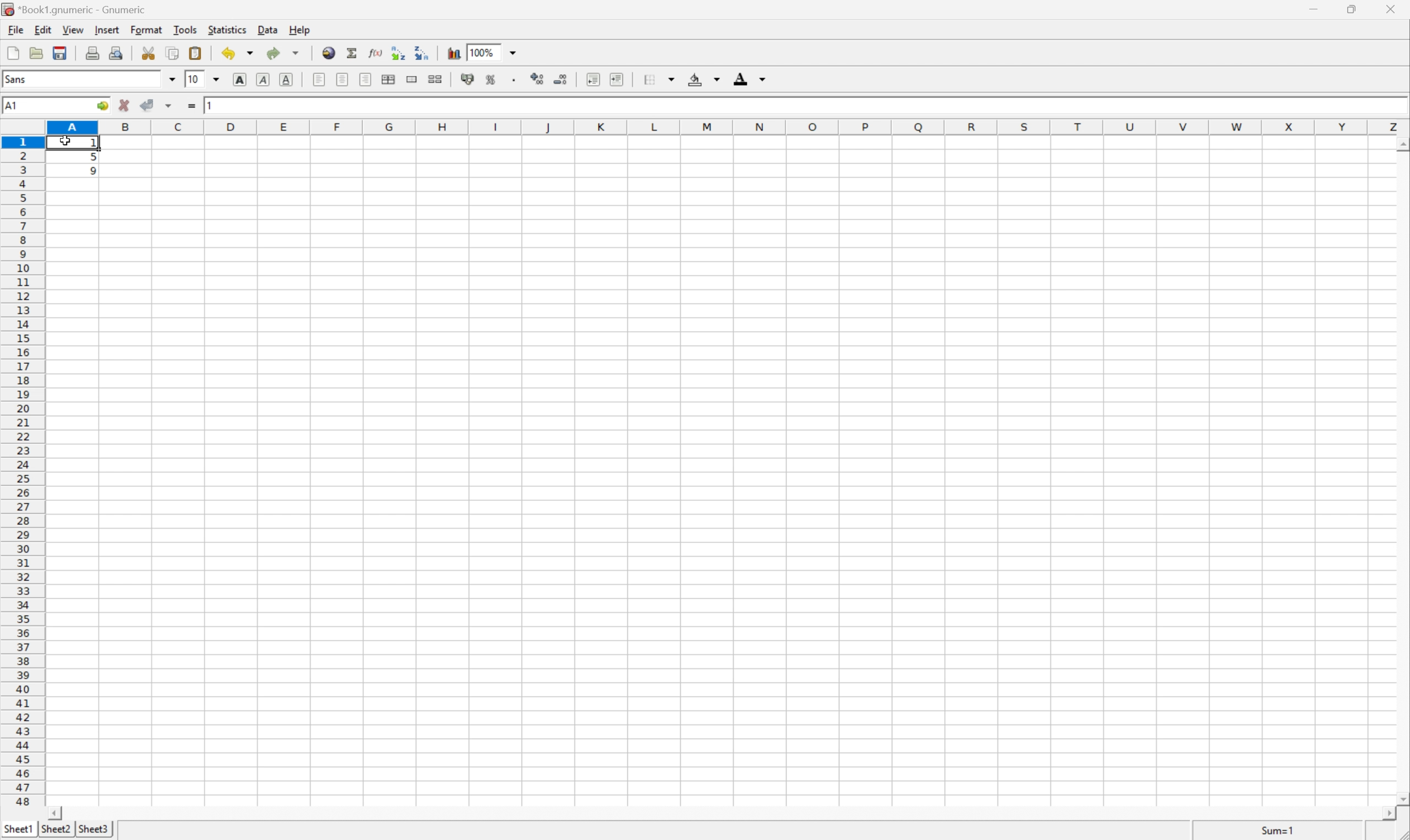 This screenshot has width=1410, height=840. I want to click on center horizontally, so click(390, 78).